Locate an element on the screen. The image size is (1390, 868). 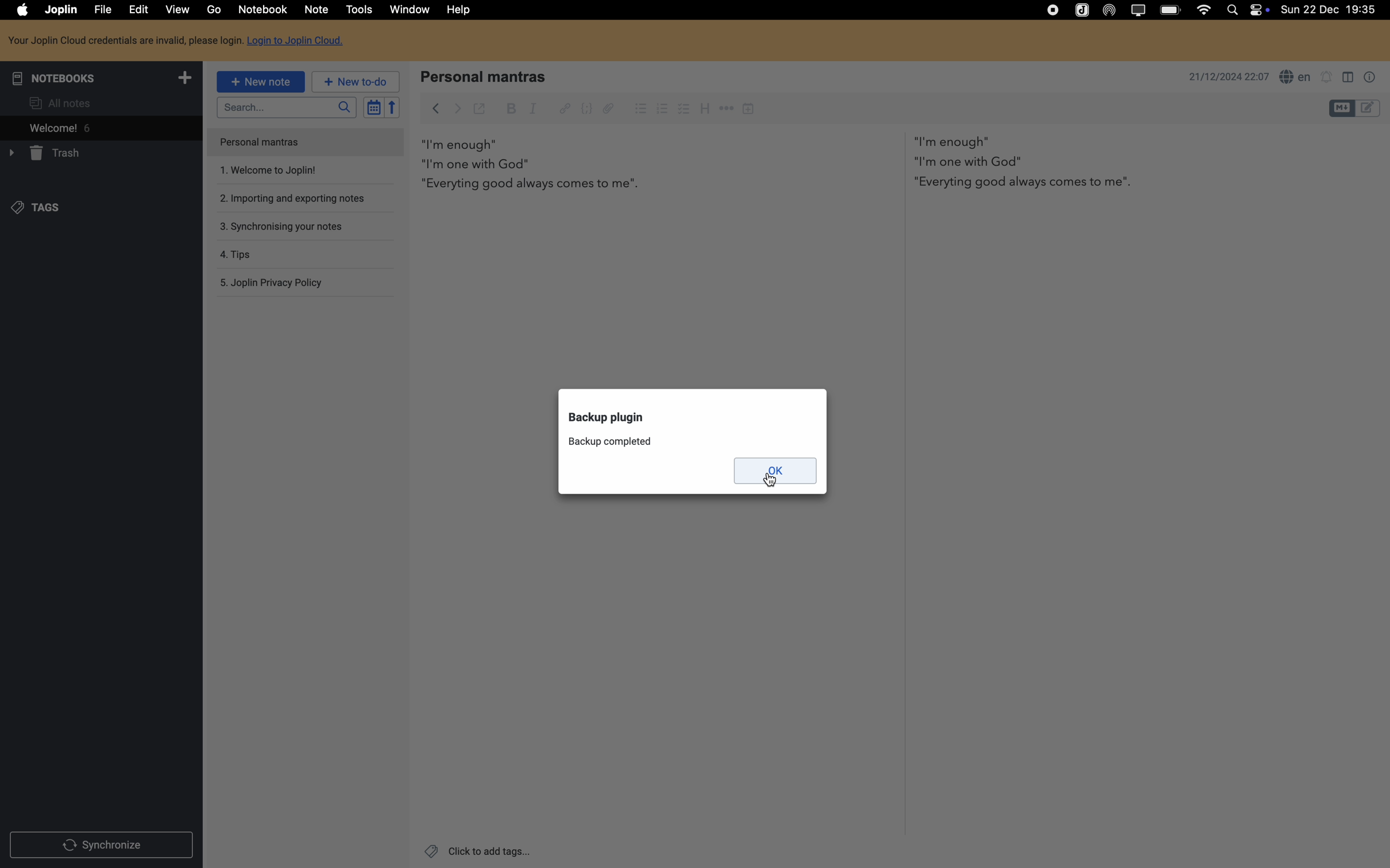
synchronising your notes is located at coordinates (278, 226).